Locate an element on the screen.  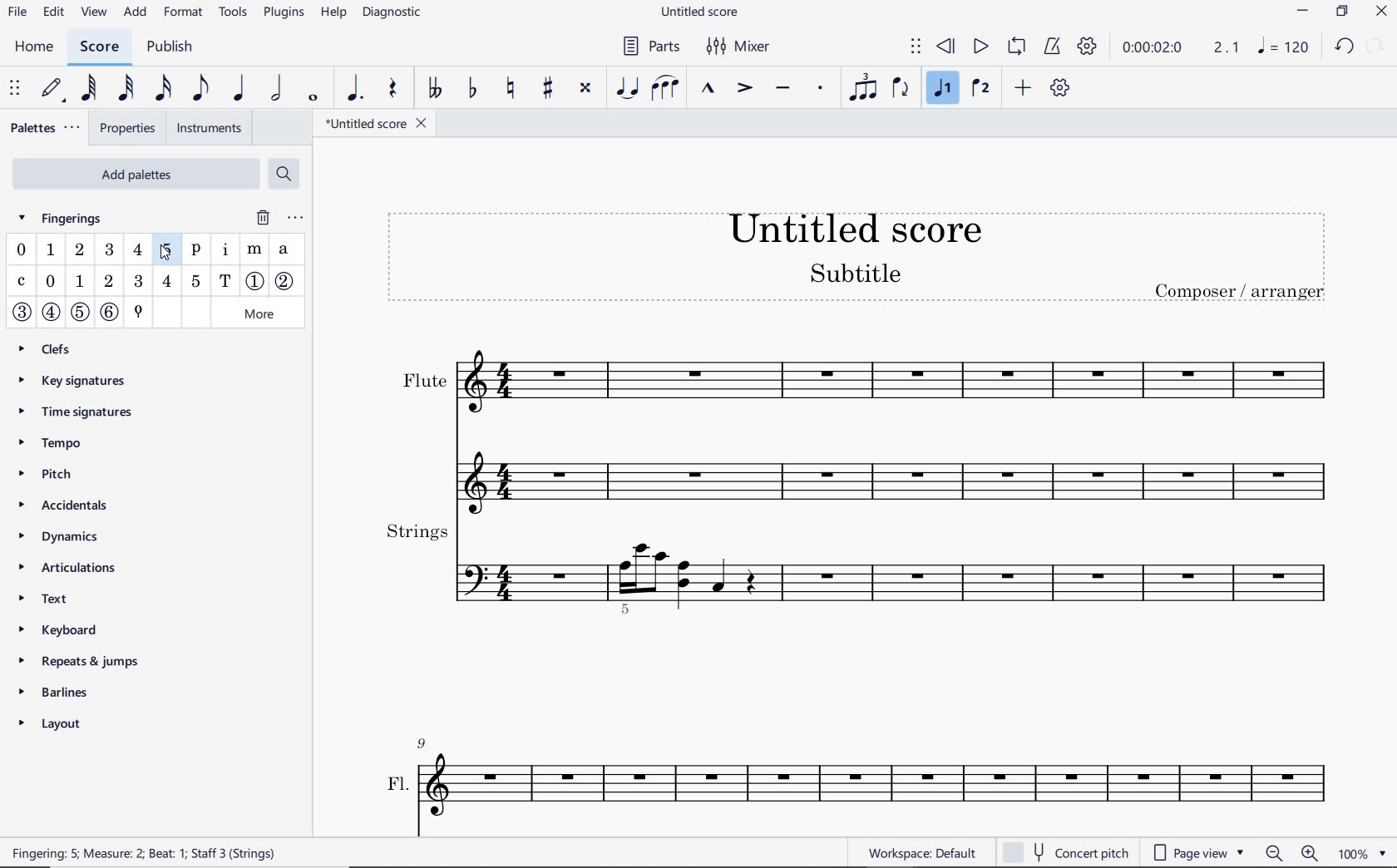
Play time is located at coordinates (1180, 47).